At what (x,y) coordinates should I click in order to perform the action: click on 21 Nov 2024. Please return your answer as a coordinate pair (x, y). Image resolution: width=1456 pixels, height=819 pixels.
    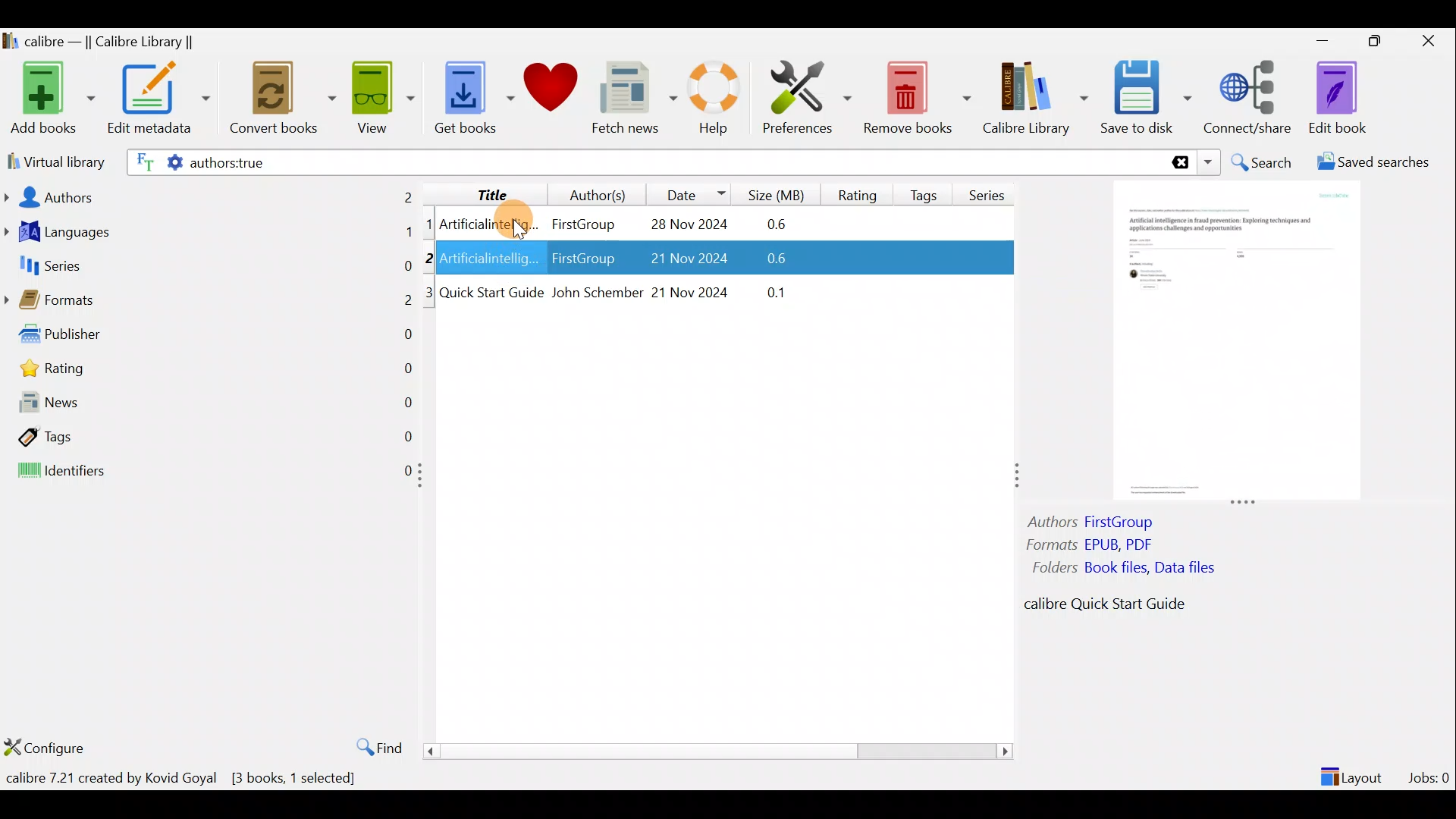
    Looking at the image, I should click on (678, 260).